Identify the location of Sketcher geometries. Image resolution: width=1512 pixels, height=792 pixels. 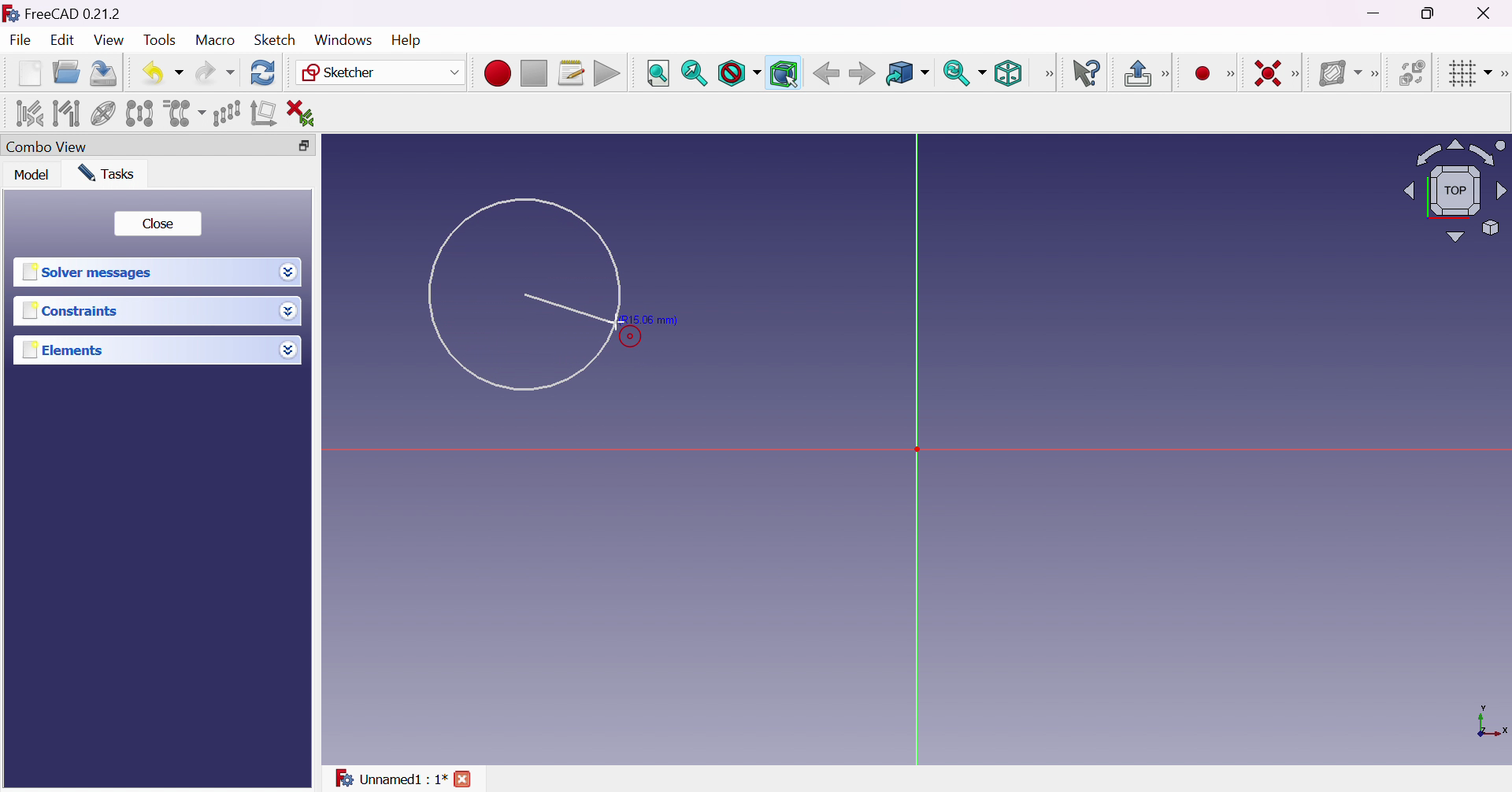
(1230, 75).